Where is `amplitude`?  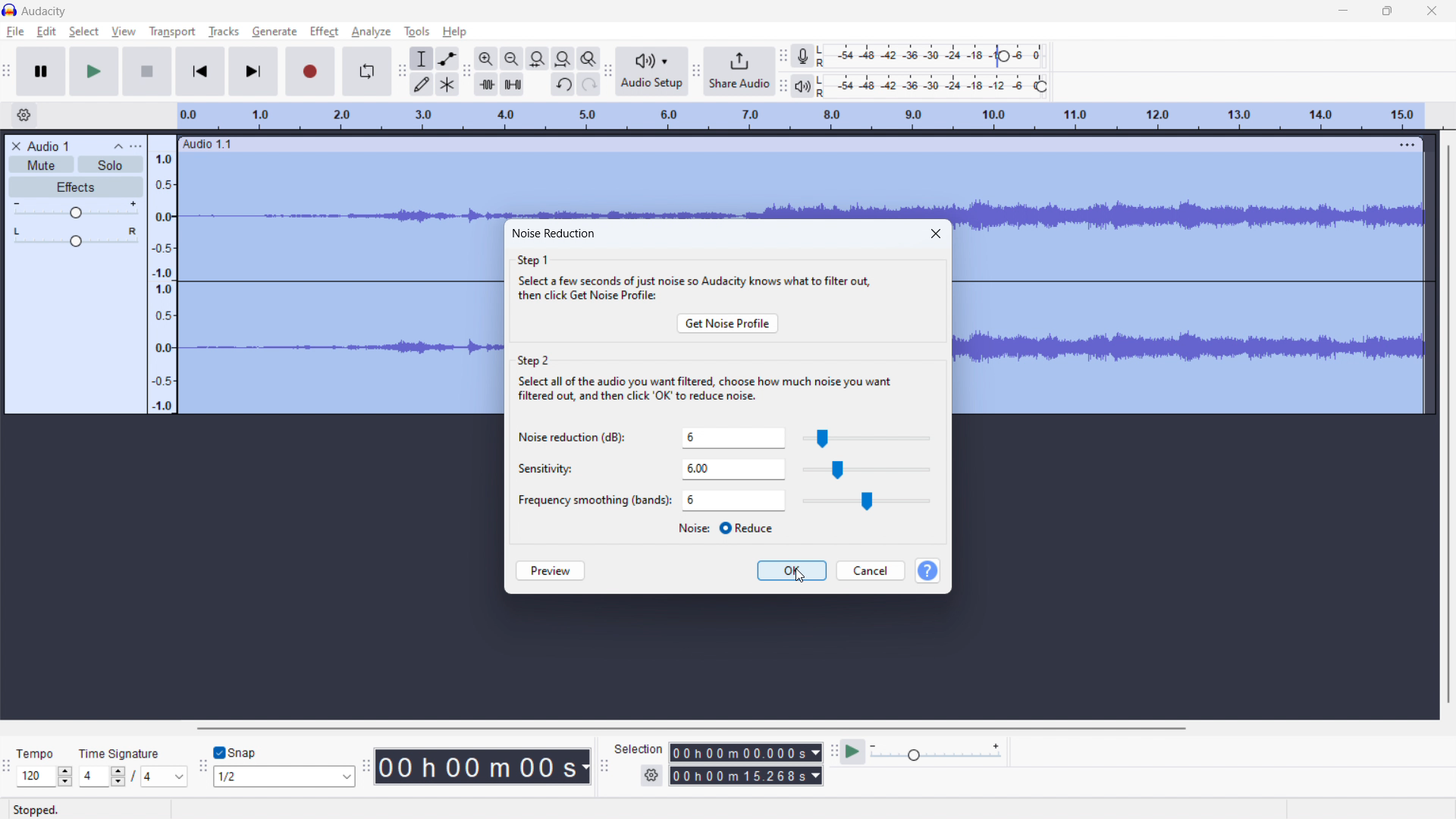 amplitude is located at coordinates (162, 275).